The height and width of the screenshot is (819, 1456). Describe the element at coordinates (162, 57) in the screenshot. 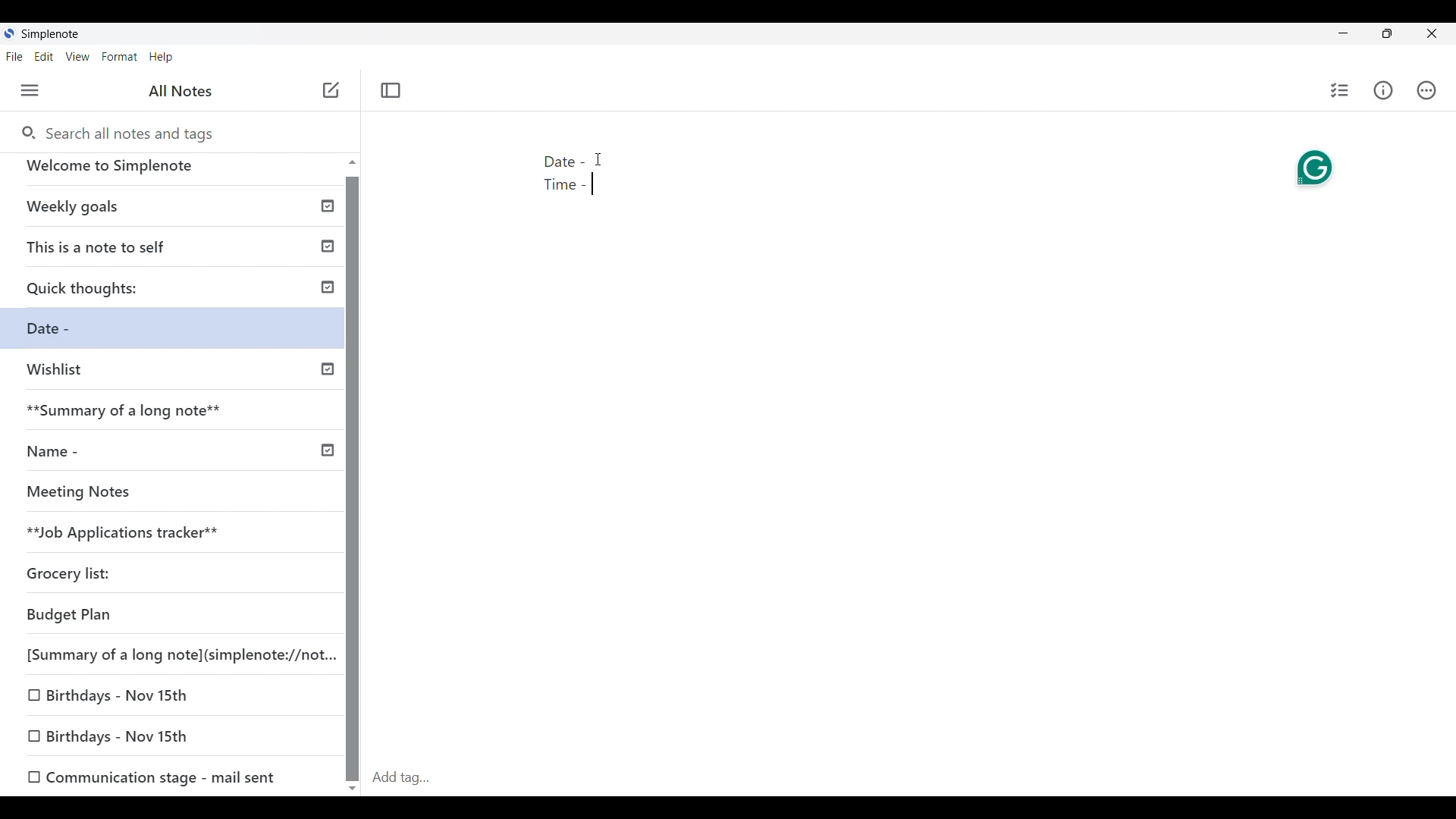

I see `Help menu` at that location.